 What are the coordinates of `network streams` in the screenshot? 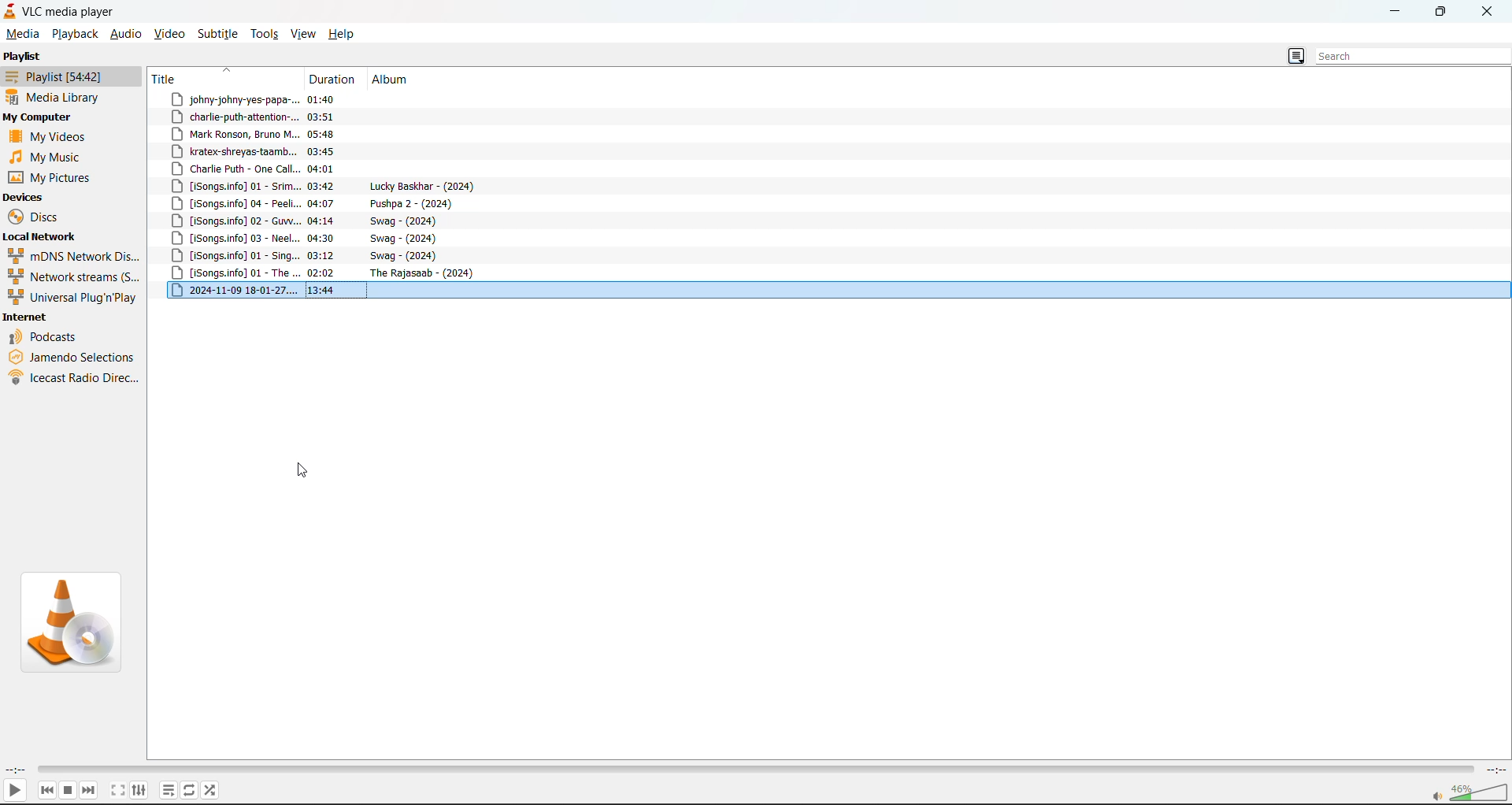 It's located at (74, 278).